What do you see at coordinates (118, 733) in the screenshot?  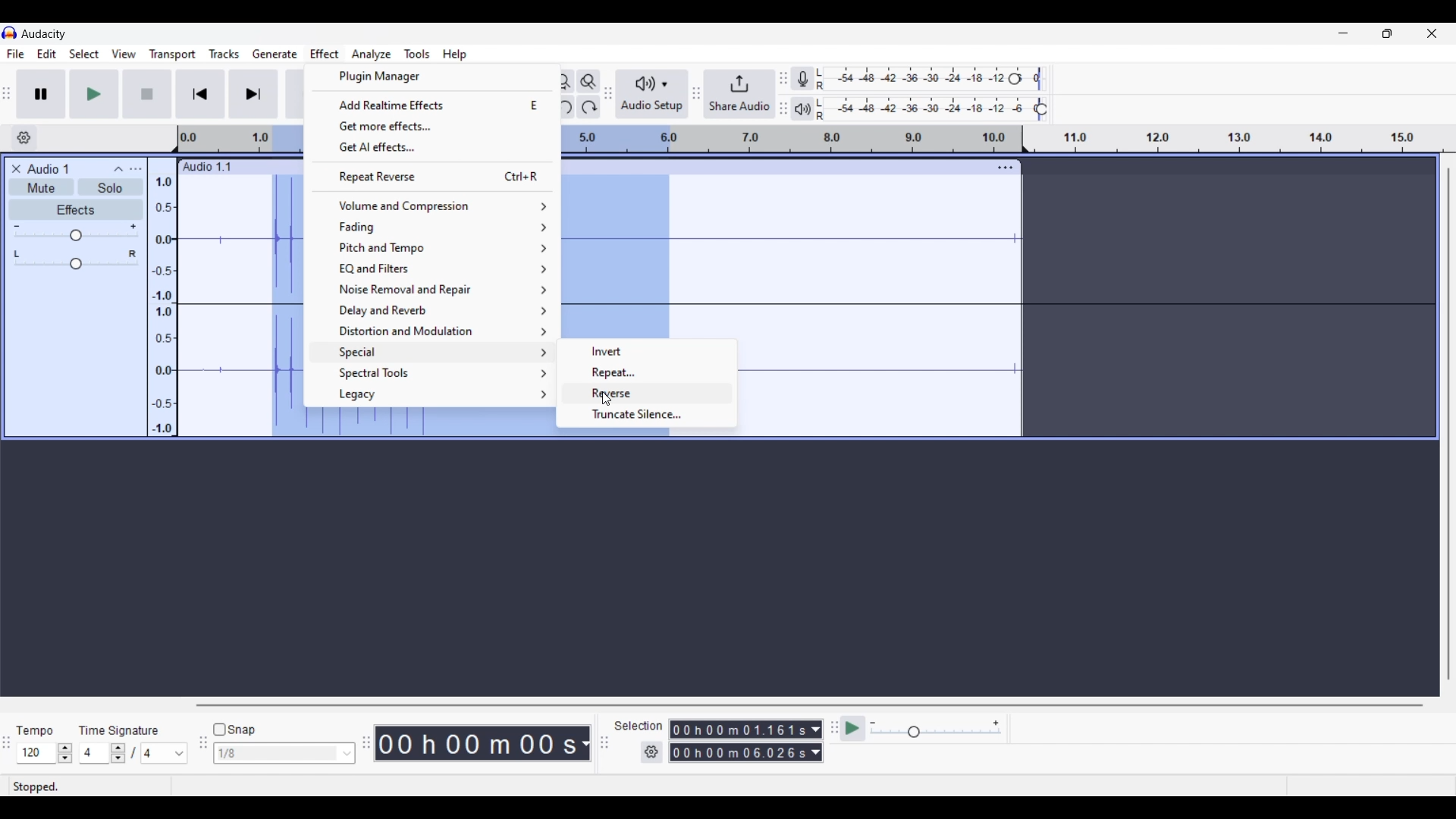 I see `time signature` at bounding box center [118, 733].